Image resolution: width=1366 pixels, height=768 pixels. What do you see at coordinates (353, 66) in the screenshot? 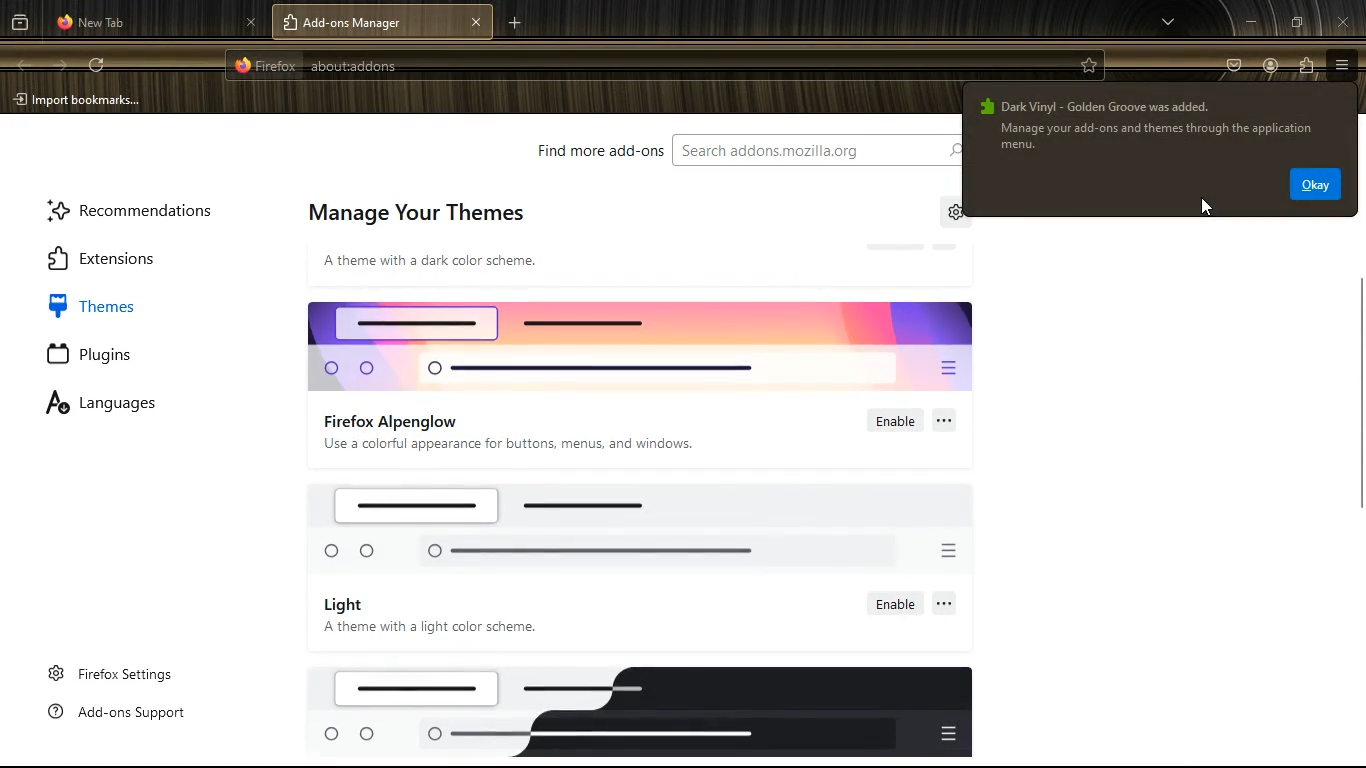
I see `about:addons` at bounding box center [353, 66].